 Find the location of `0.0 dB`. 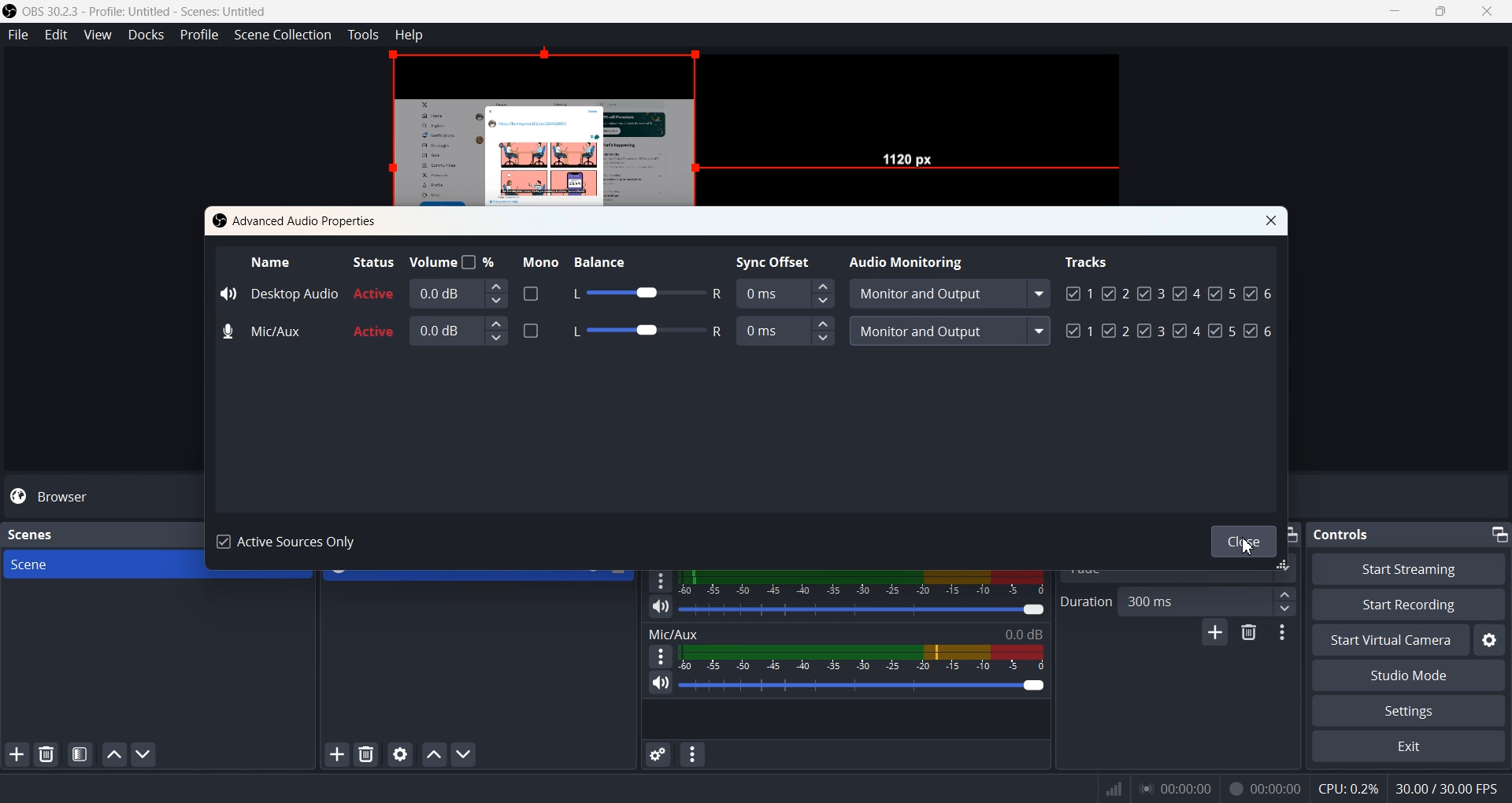

0.0 dB is located at coordinates (459, 330).